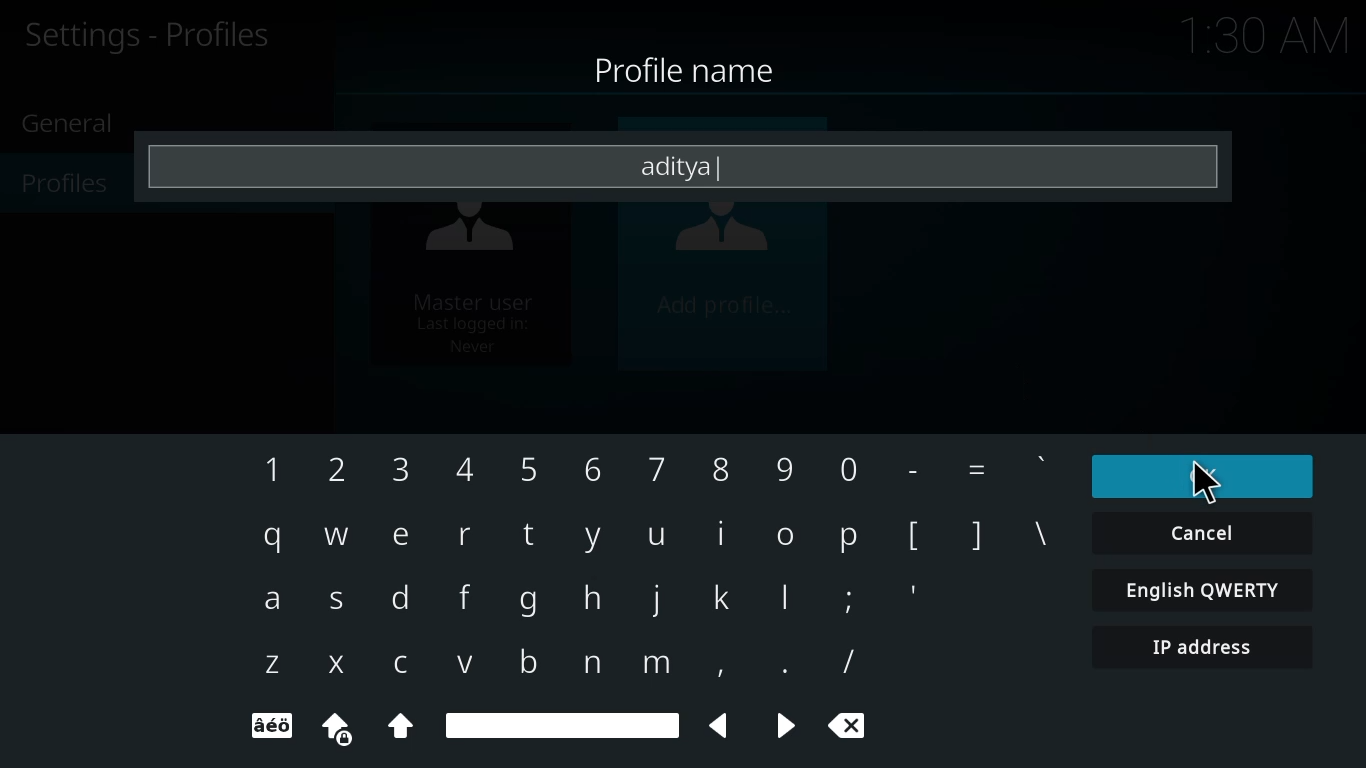  Describe the element at coordinates (1199, 483) in the screenshot. I see `cursor` at that location.